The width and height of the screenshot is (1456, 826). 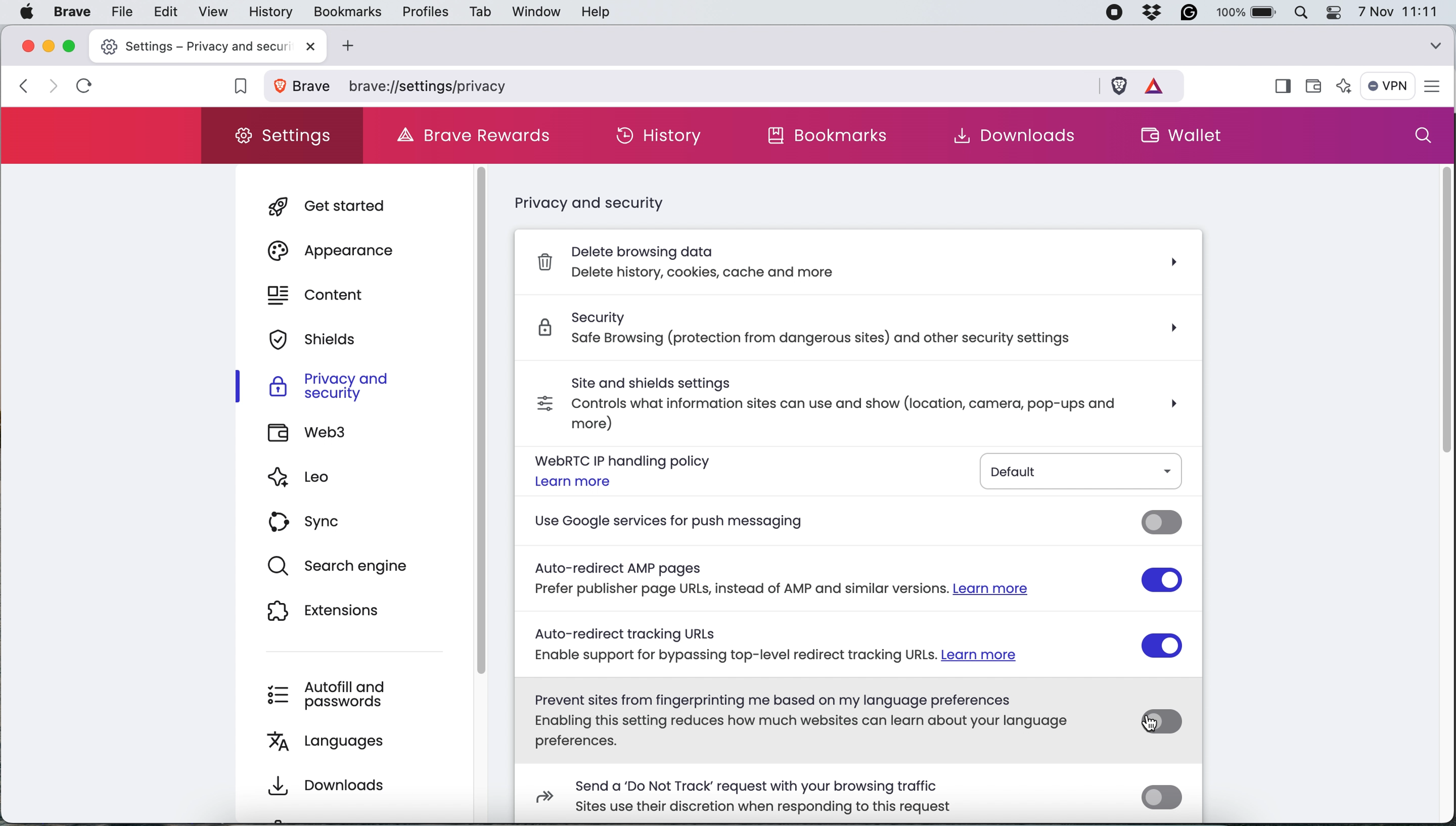 I want to click on go back, so click(x=23, y=85).